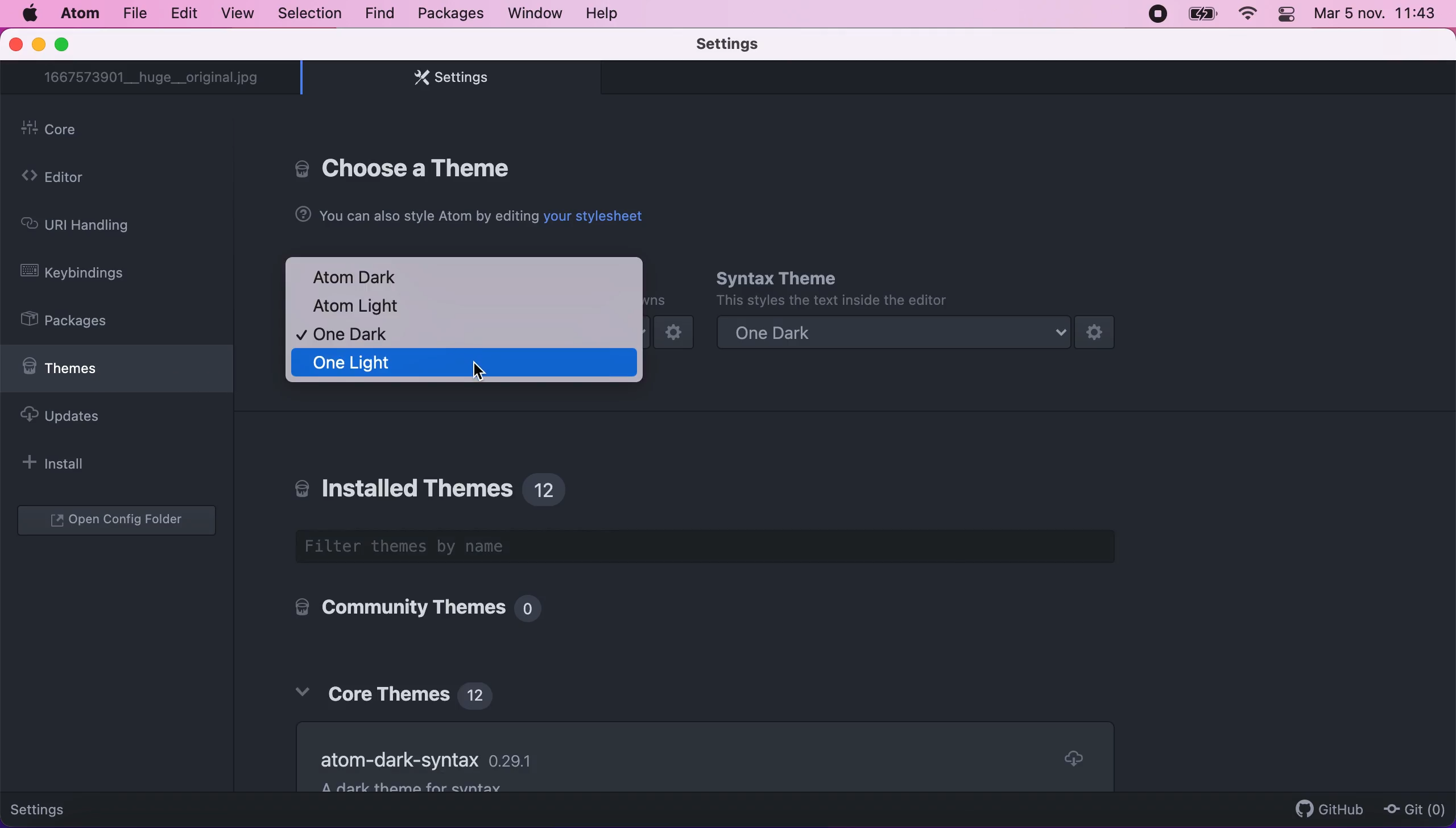 The image size is (1456, 828). Describe the element at coordinates (77, 465) in the screenshot. I see `install` at that location.